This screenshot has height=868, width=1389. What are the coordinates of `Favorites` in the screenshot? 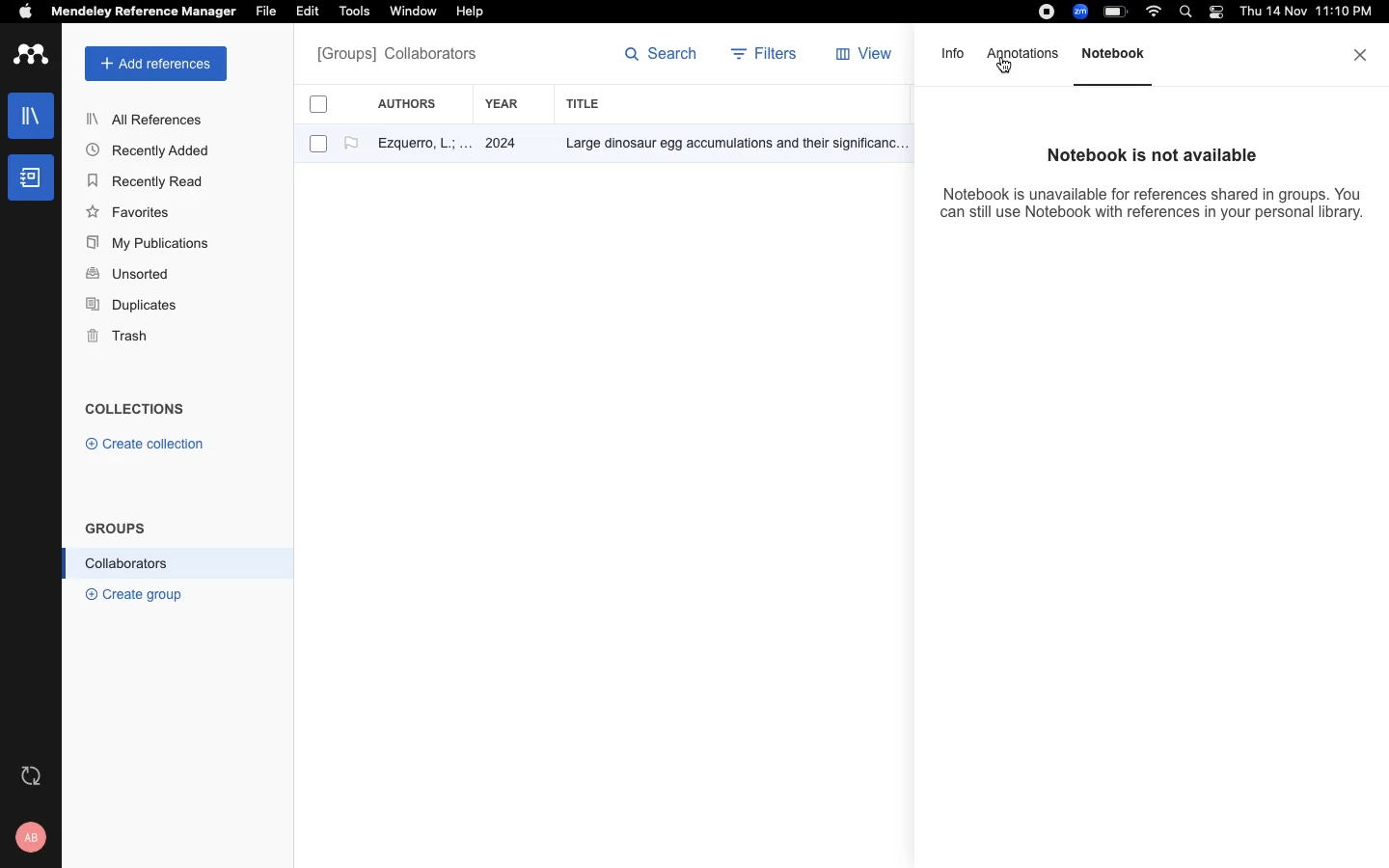 It's located at (132, 211).